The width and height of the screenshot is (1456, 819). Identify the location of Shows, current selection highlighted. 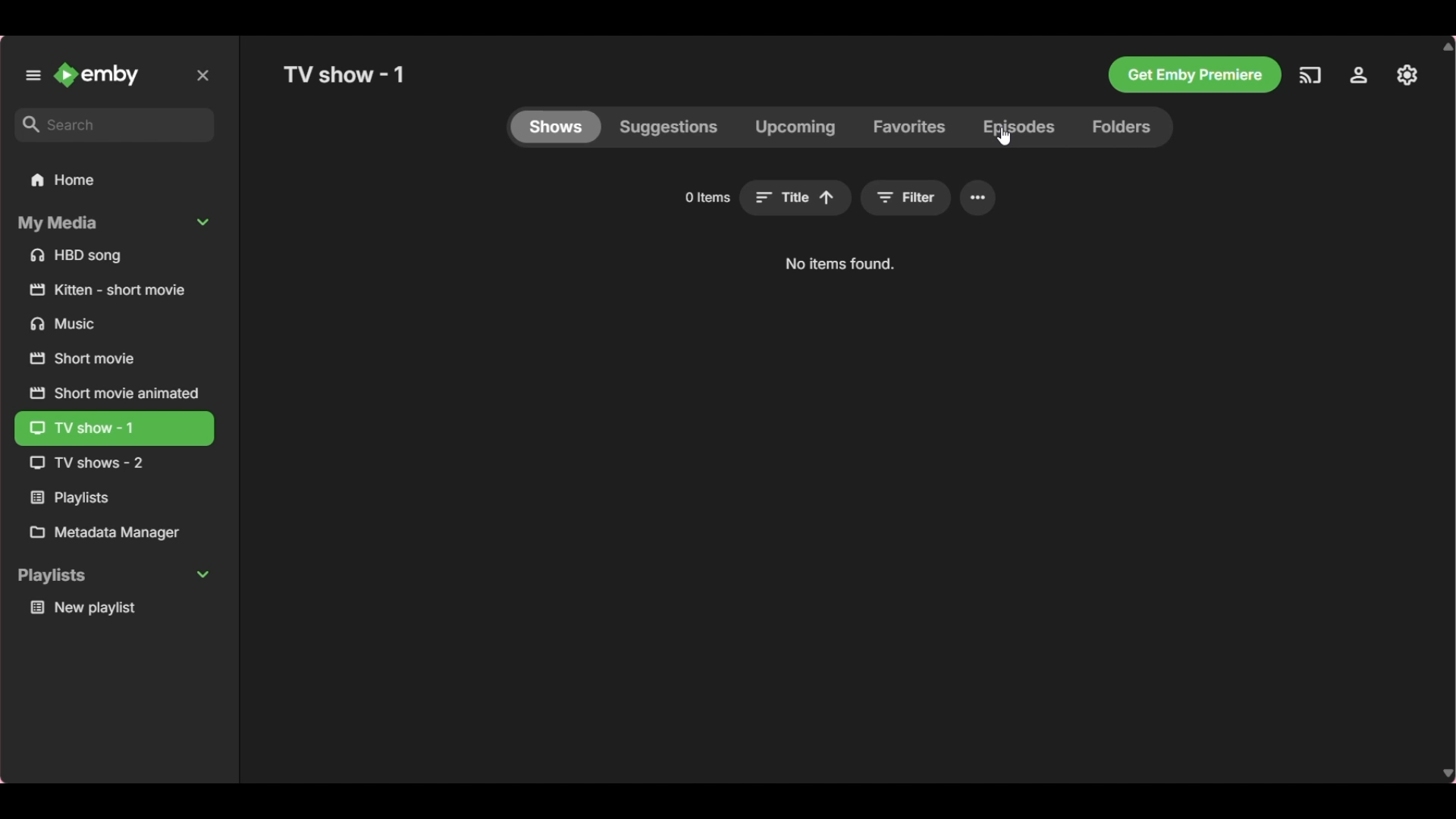
(557, 127).